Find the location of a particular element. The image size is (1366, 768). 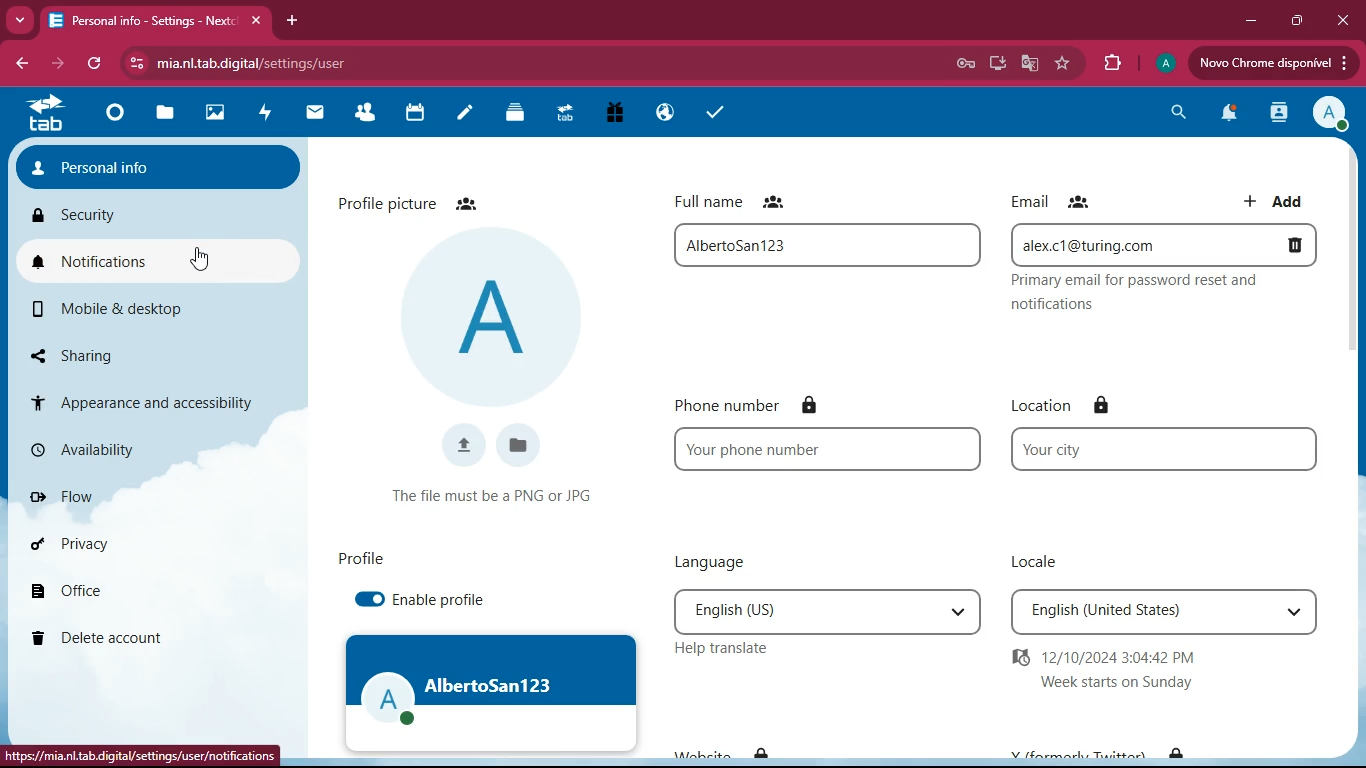

description is located at coordinates (1142, 293).